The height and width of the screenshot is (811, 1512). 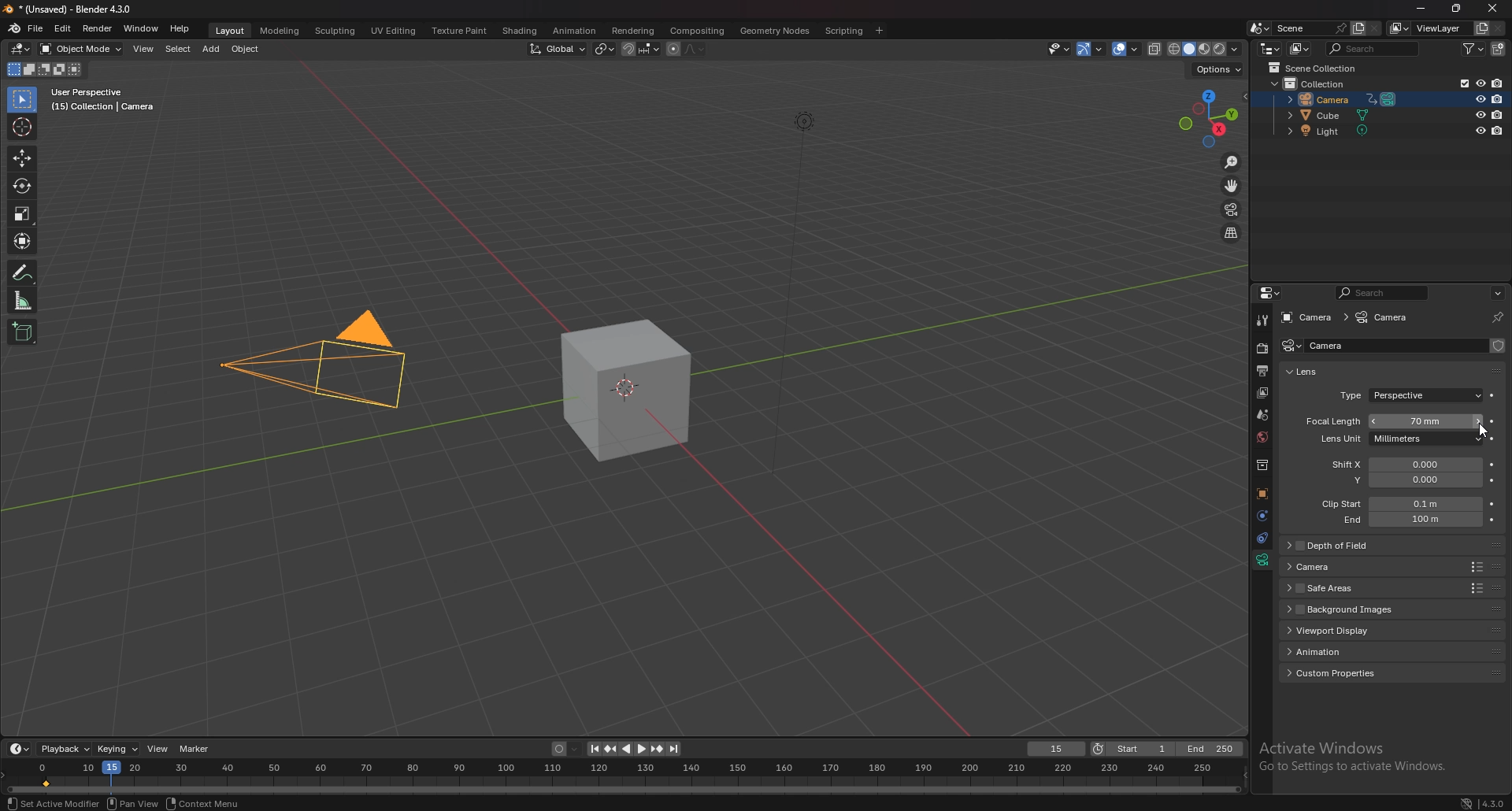 I want to click on render, so click(x=1261, y=350).